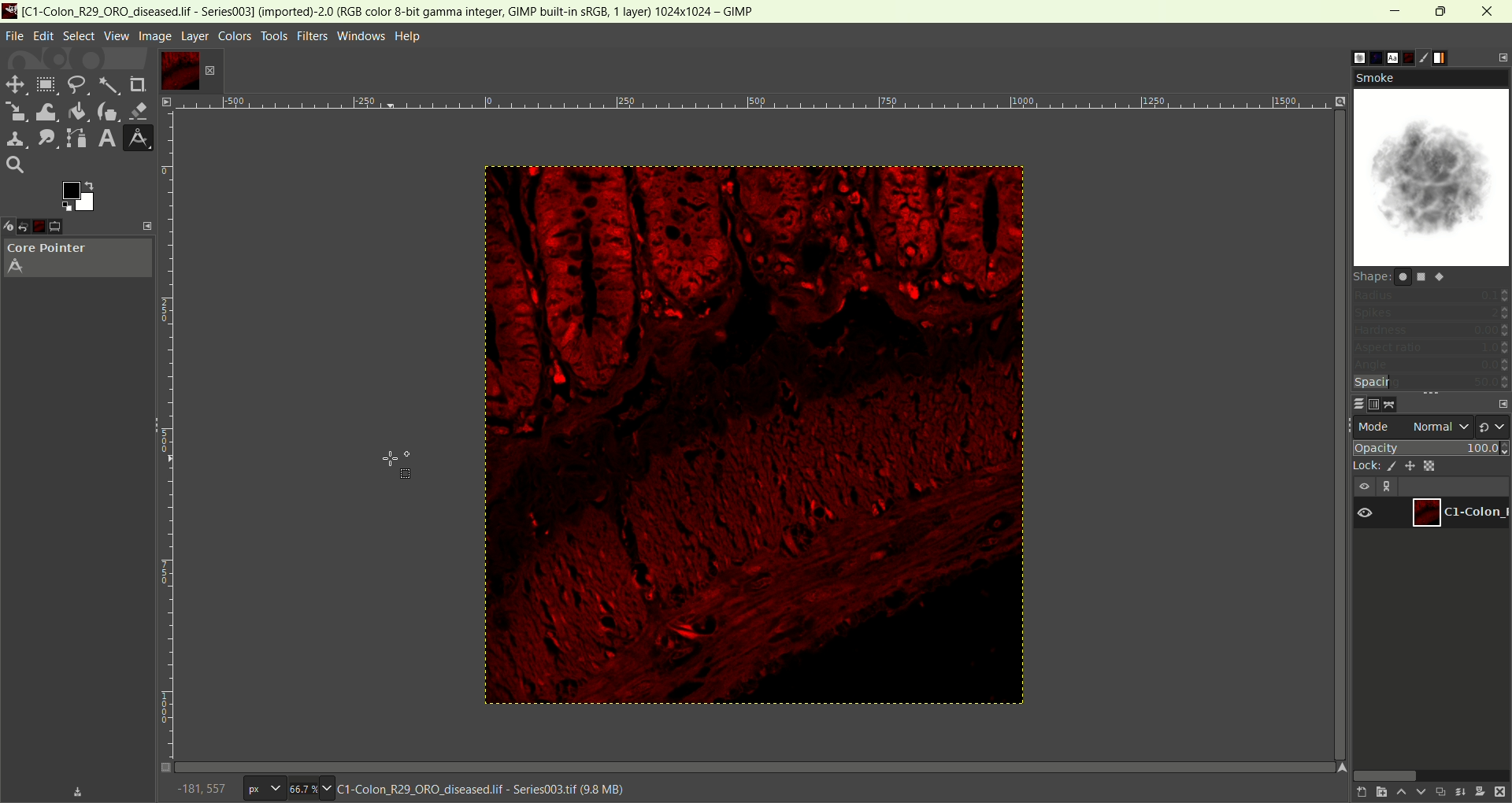 The height and width of the screenshot is (803, 1512). I want to click on ink tool, so click(108, 111).